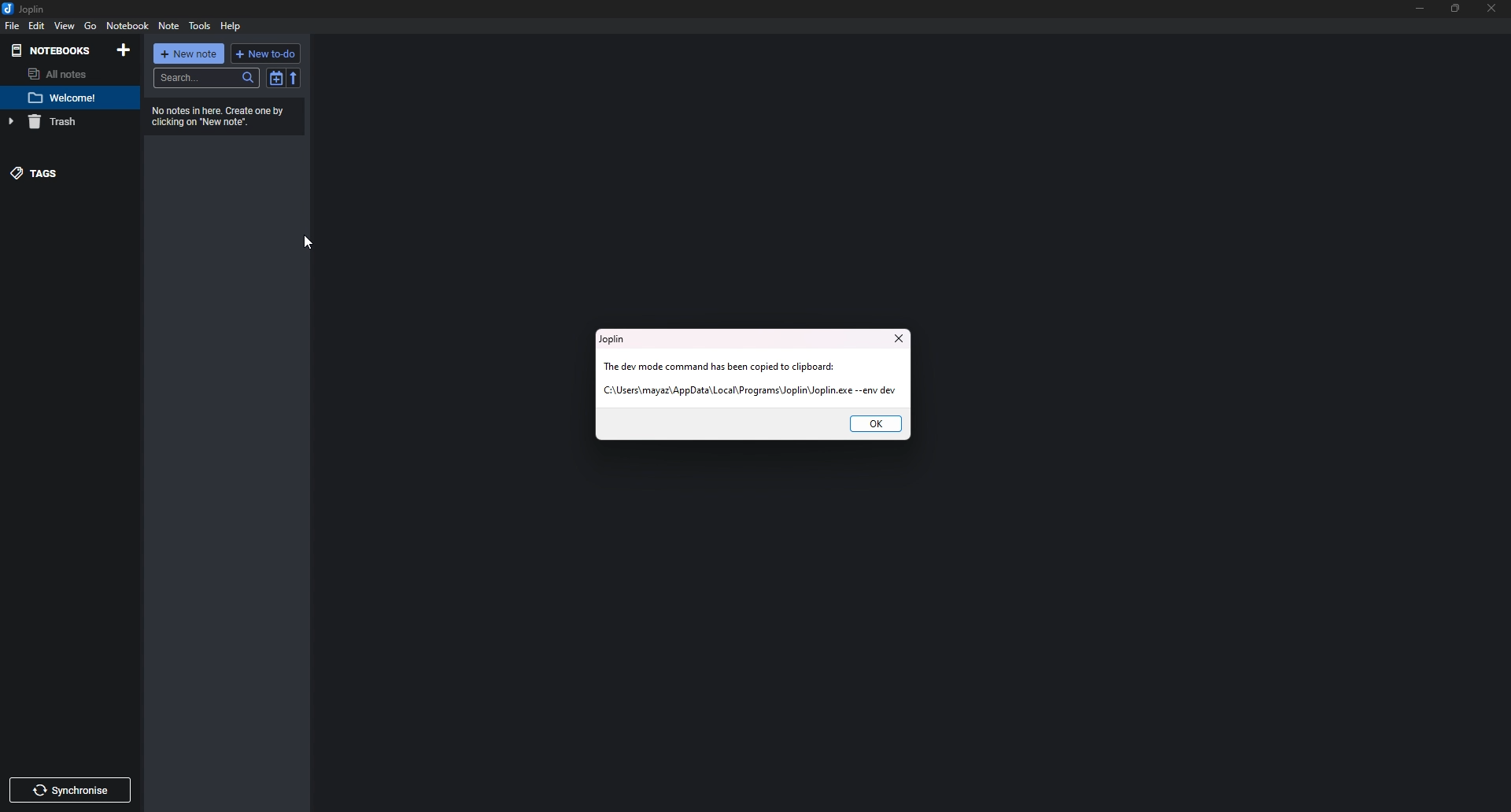  Describe the element at coordinates (65, 26) in the screenshot. I see `view` at that location.